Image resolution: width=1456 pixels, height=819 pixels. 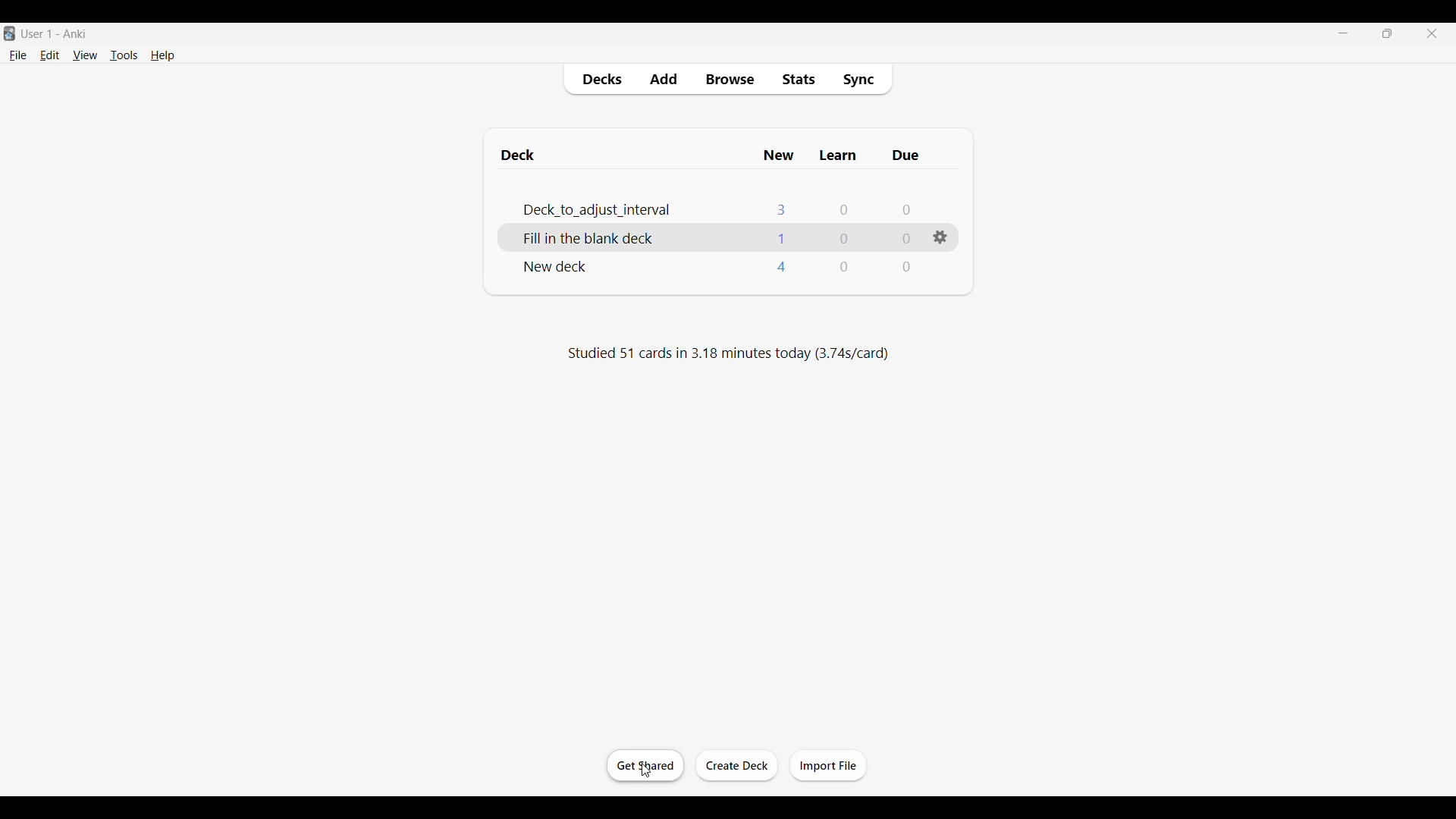 I want to click on Stats, so click(x=799, y=79).